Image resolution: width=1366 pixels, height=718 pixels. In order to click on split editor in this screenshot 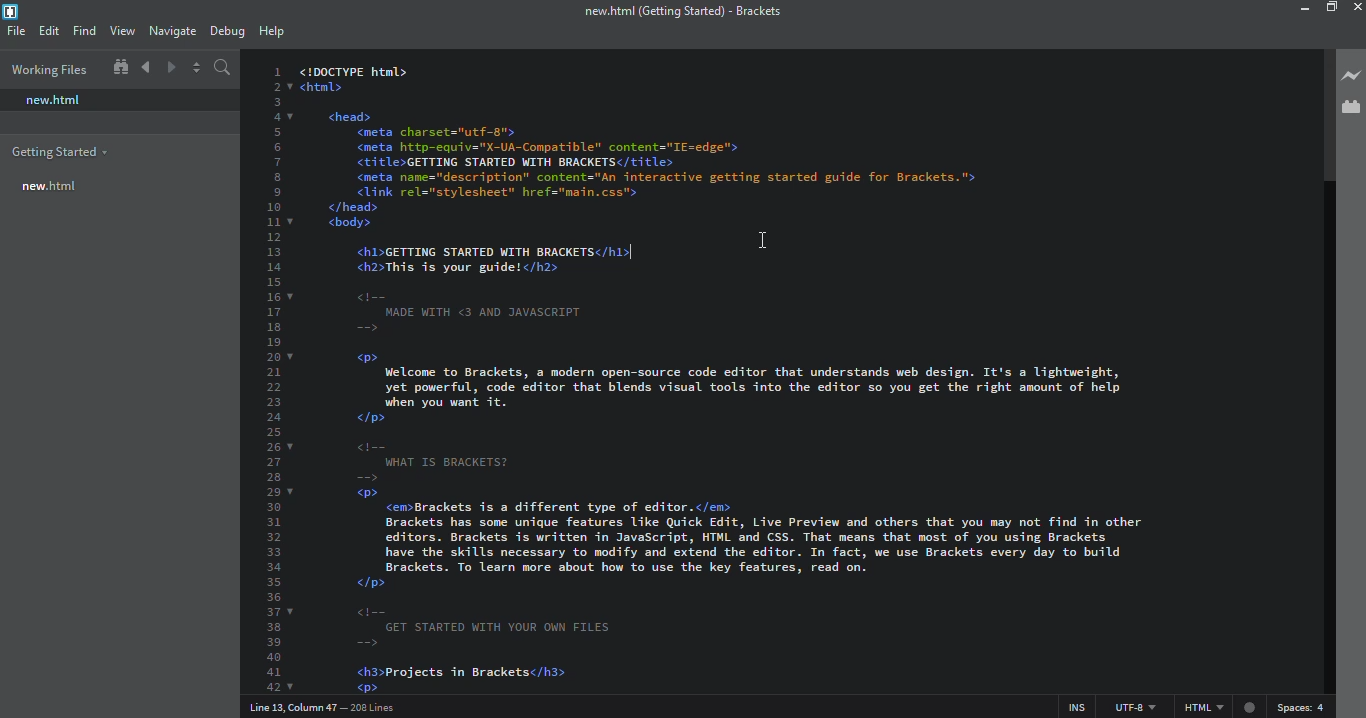, I will do `click(195, 67)`.